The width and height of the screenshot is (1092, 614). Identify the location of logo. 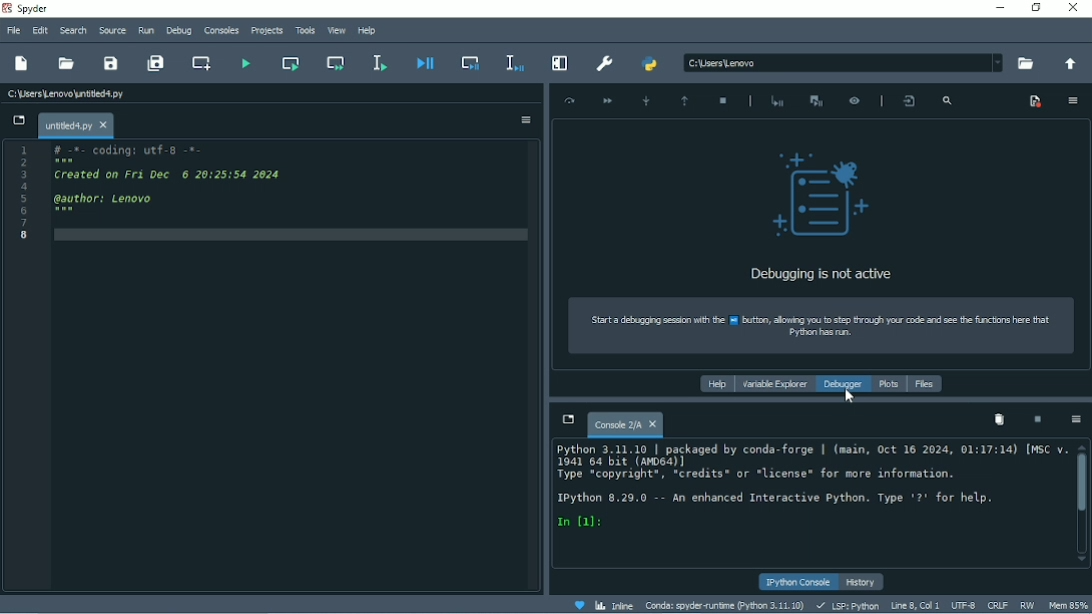
(824, 193).